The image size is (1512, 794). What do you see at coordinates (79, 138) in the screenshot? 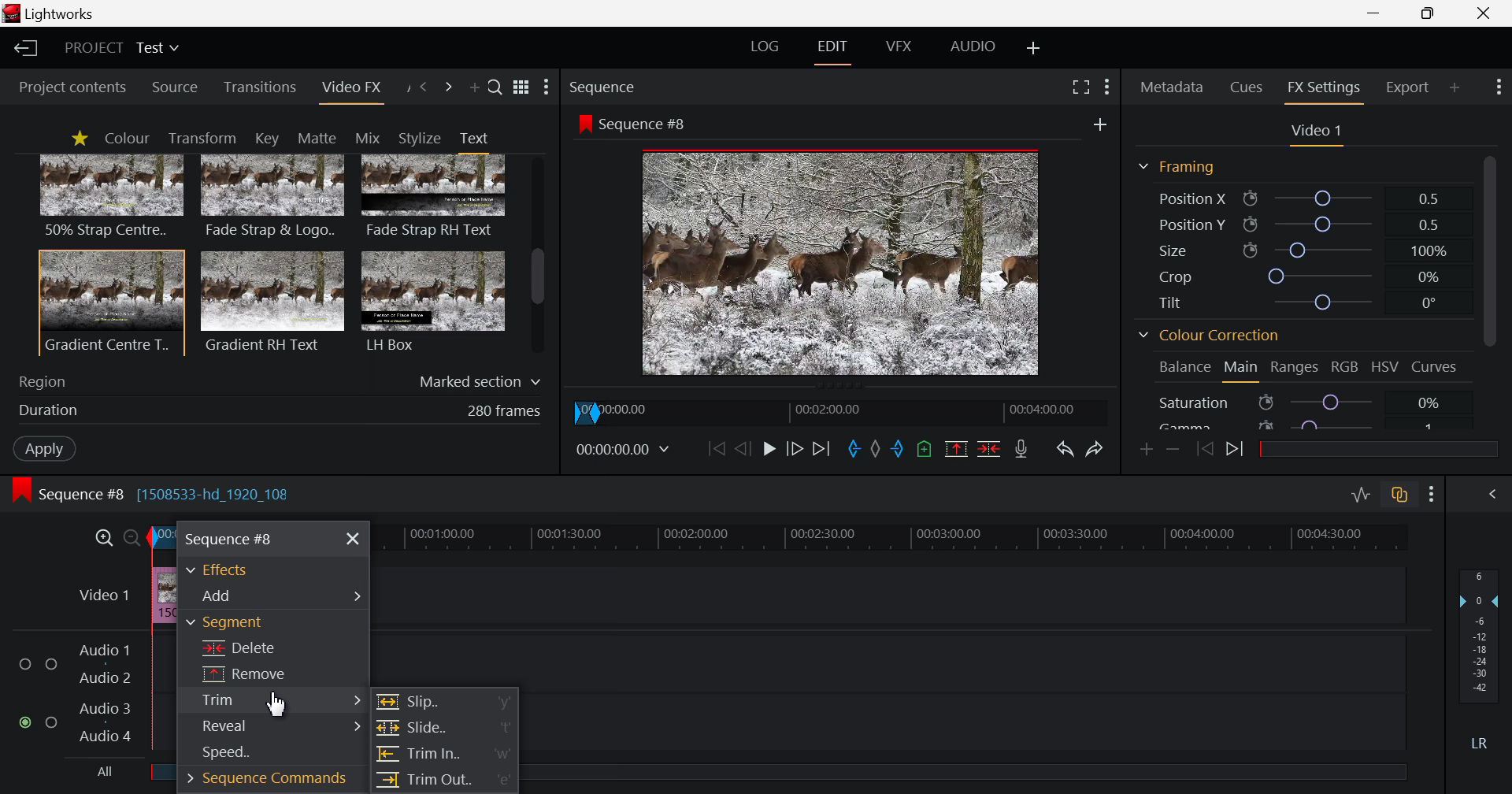
I see `Favorites` at bounding box center [79, 138].